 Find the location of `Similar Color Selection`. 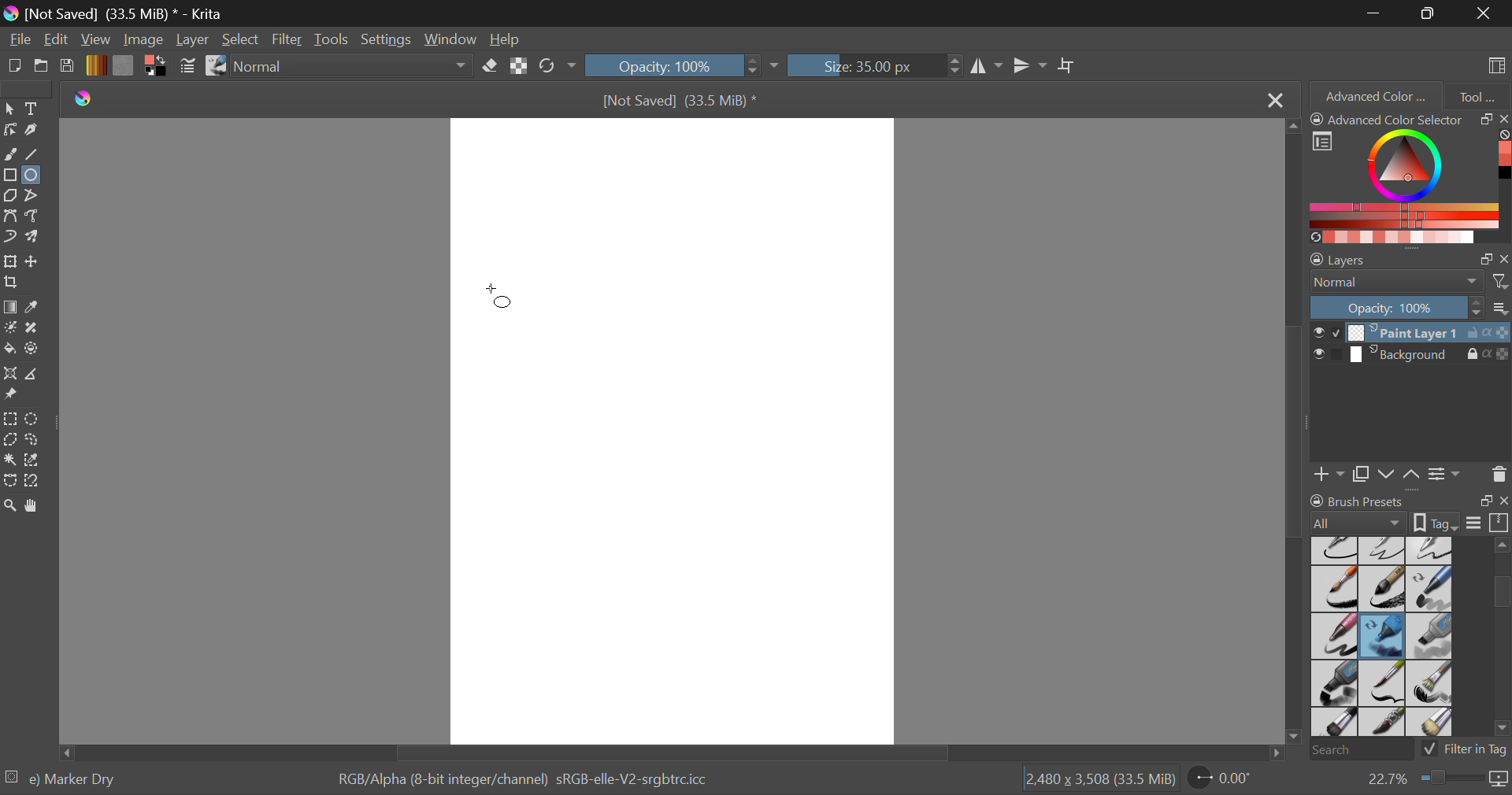

Similar Color Selection is located at coordinates (36, 461).